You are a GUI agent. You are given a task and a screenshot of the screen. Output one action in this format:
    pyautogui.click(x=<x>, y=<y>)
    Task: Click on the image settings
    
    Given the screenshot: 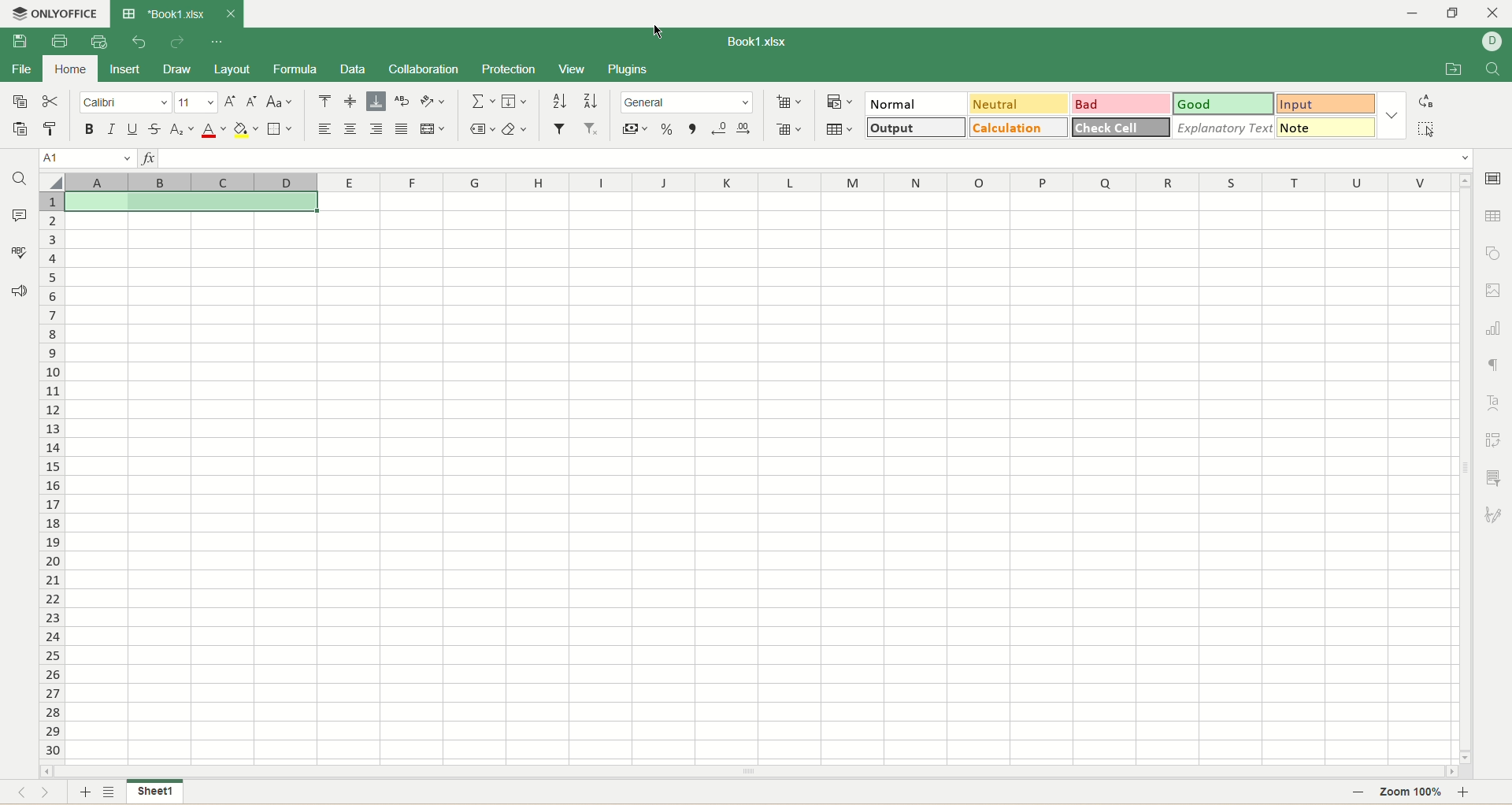 What is the action you would take?
    pyautogui.click(x=1495, y=290)
    